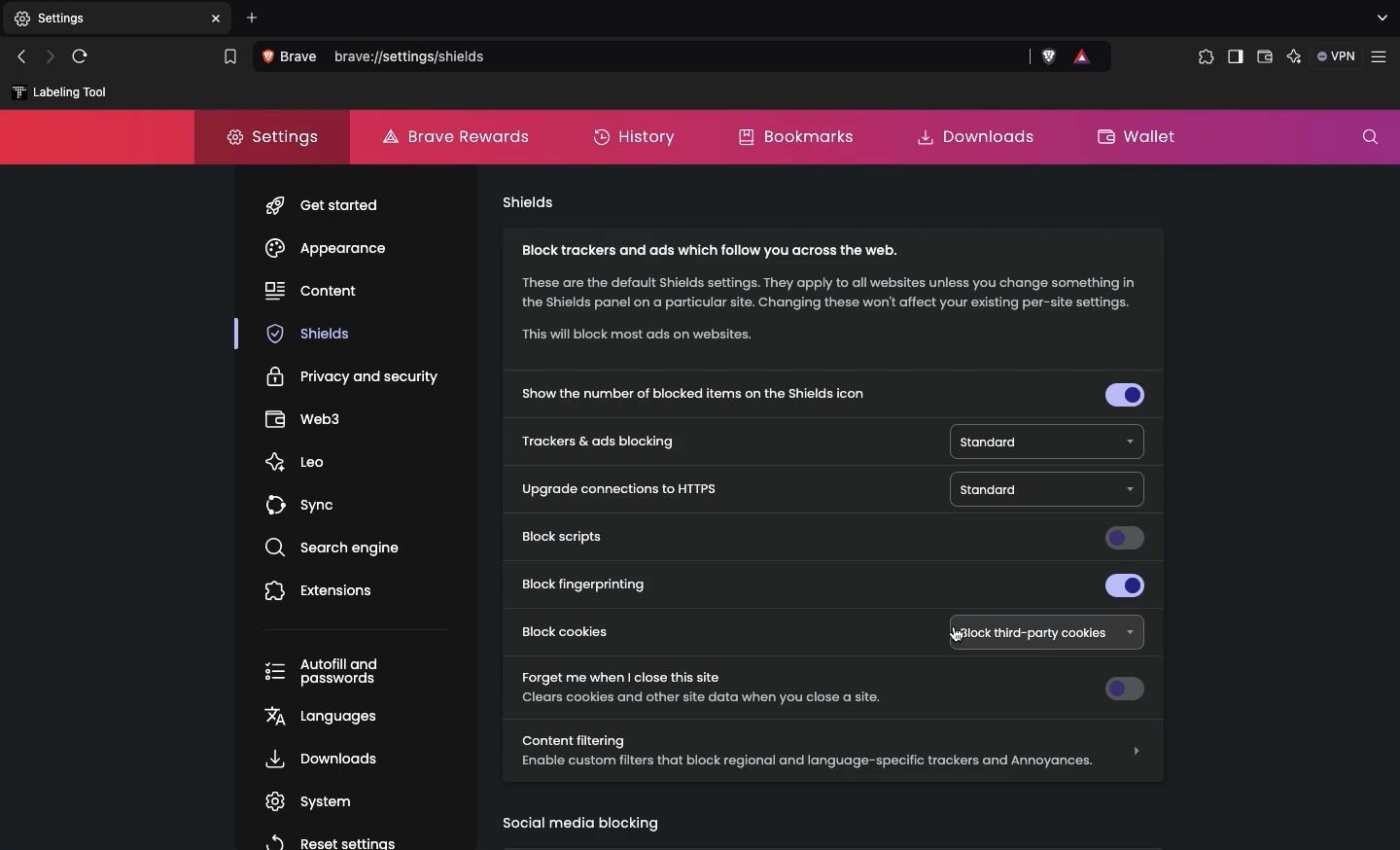 The height and width of the screenshot is (850, 1400). What do you see at coordinates (218, 18) in the screenshot?
I see `close tab` at bounding box center [218, 18].